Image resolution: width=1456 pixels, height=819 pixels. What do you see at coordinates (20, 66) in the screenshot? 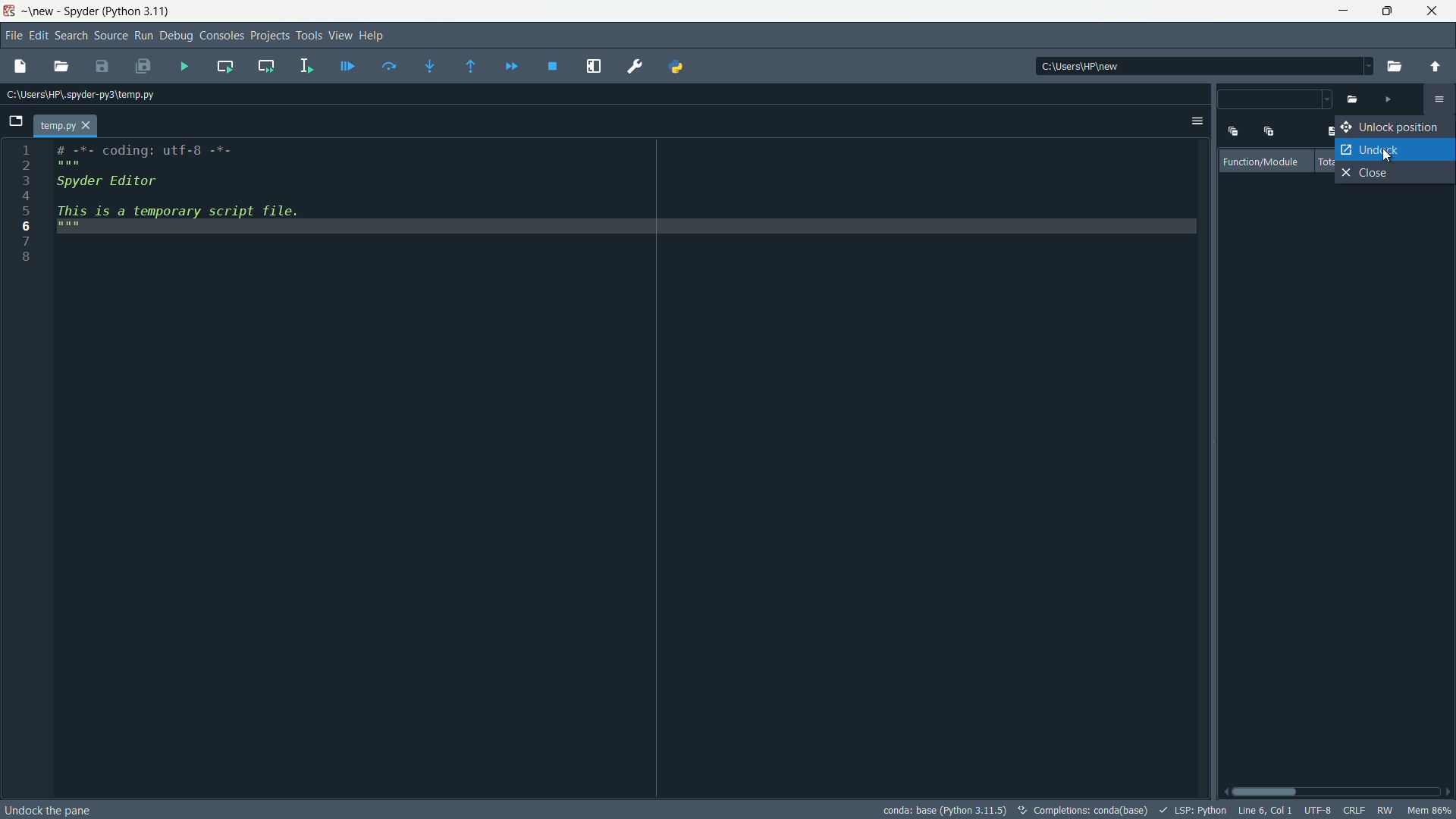
I see `new file` at bounding box center [20, 66].